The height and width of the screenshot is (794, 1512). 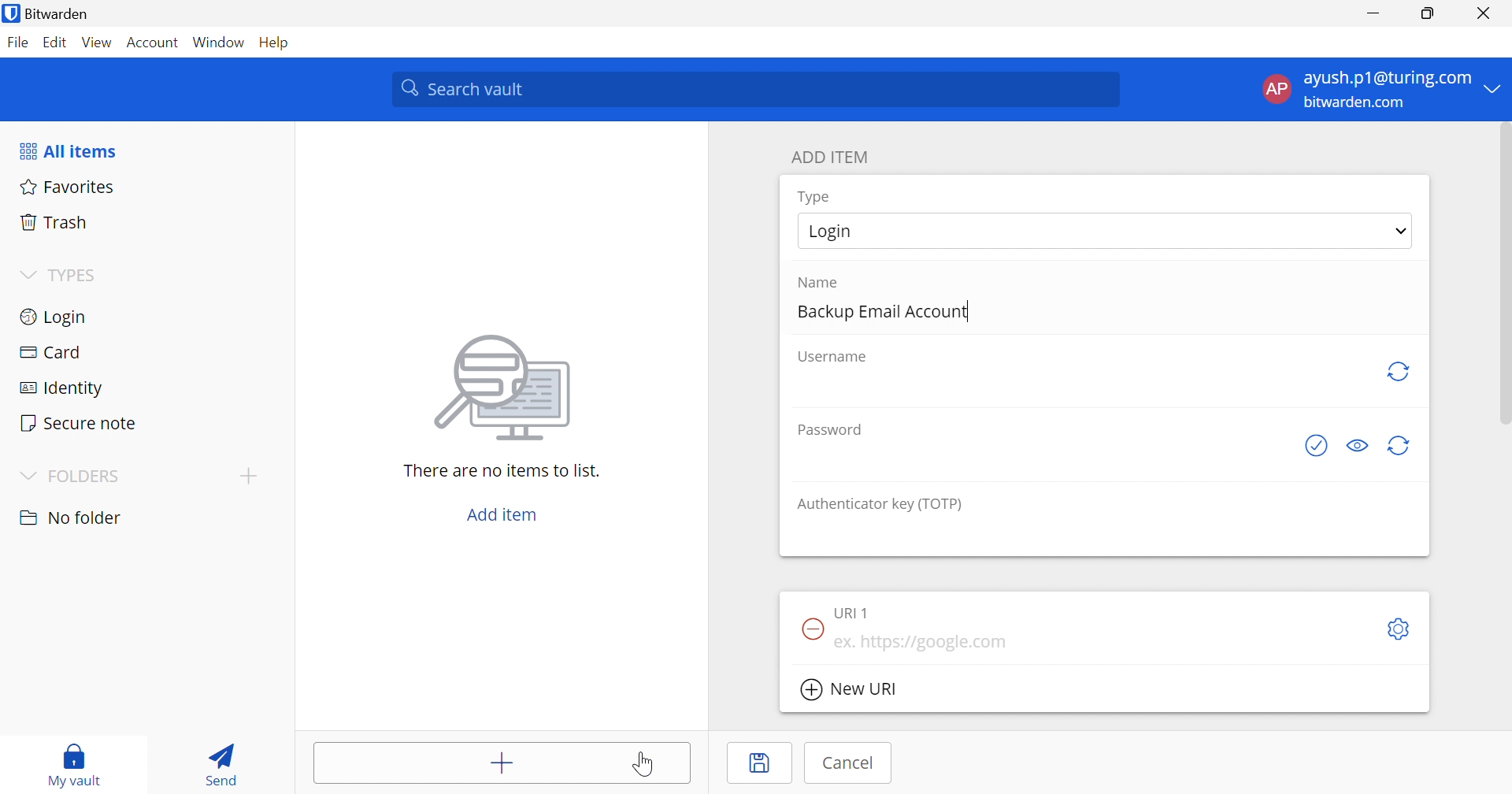 What do you see at coordinates (272, 42) in the screenshot?
I see `Help` at bounding box center [272, 42].